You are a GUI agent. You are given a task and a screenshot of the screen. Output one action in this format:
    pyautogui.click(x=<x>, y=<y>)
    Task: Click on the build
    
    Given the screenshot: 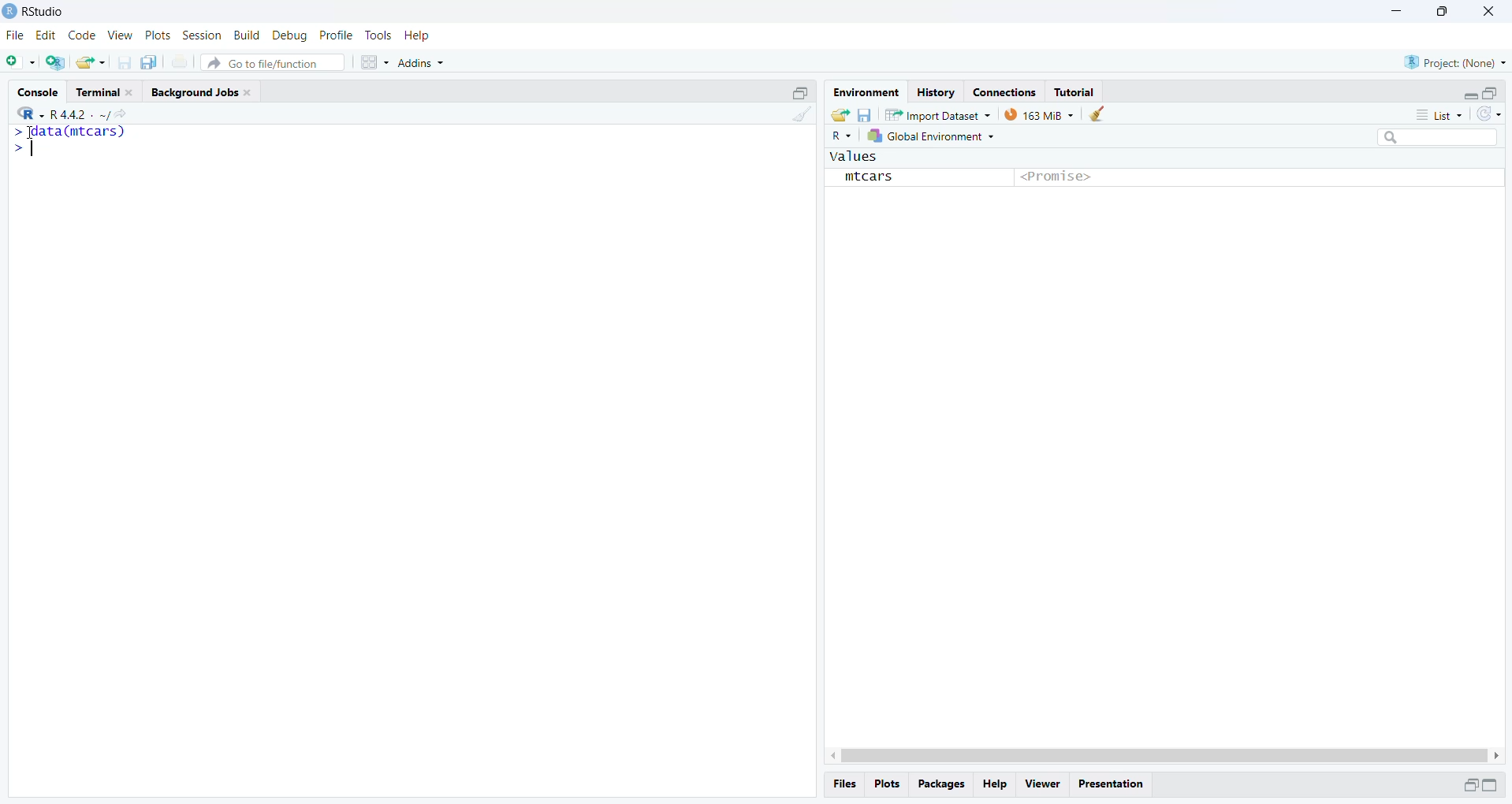 What is the action you would take?
    pyautogui.click(x=247, y=35)
    